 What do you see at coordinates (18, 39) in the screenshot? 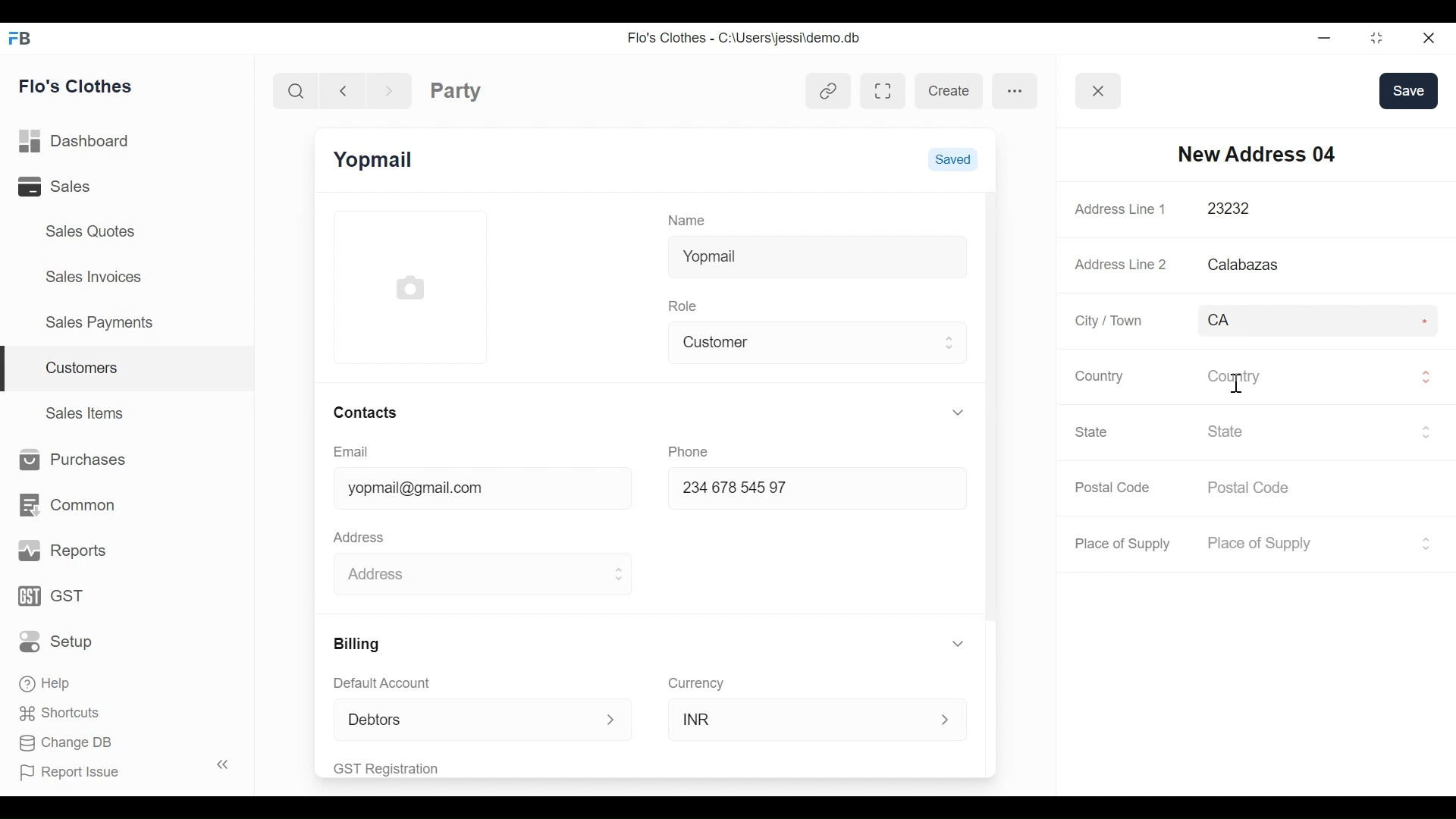
I see `Frappe Books Desktop Icon` at bounding box center [18, 39].